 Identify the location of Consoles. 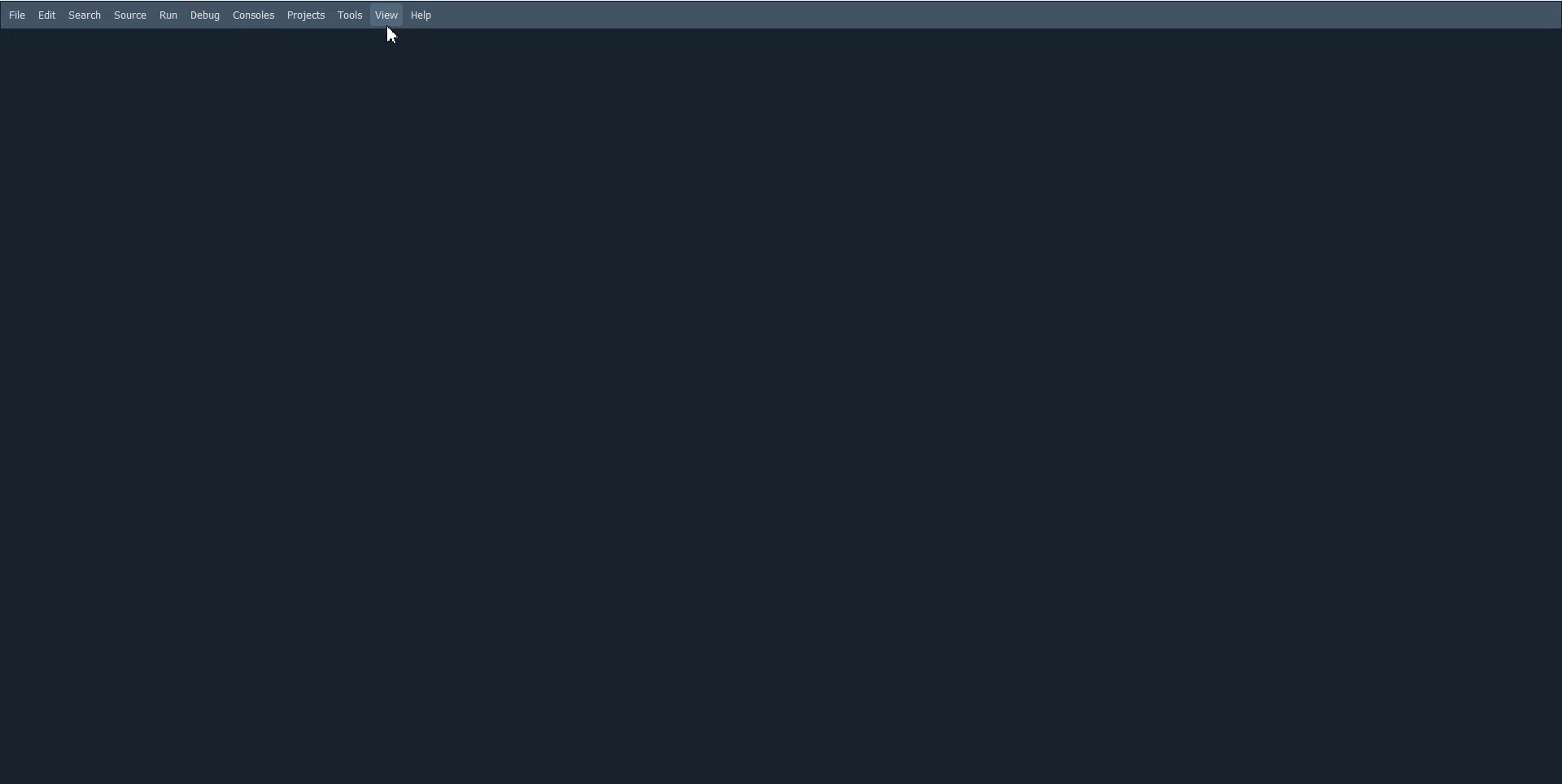
(254, 15).